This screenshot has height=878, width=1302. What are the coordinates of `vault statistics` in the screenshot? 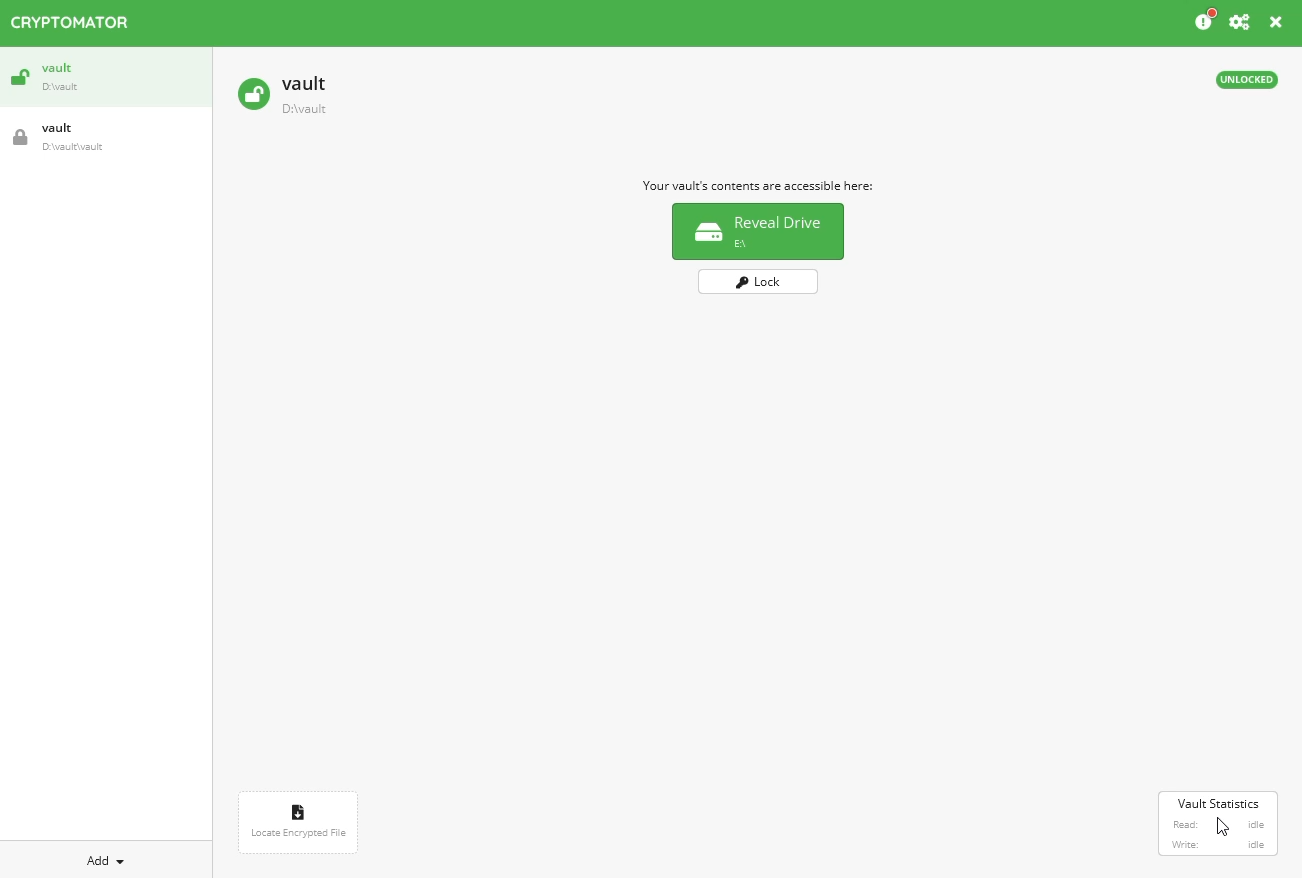 It's located at (1218, 803).